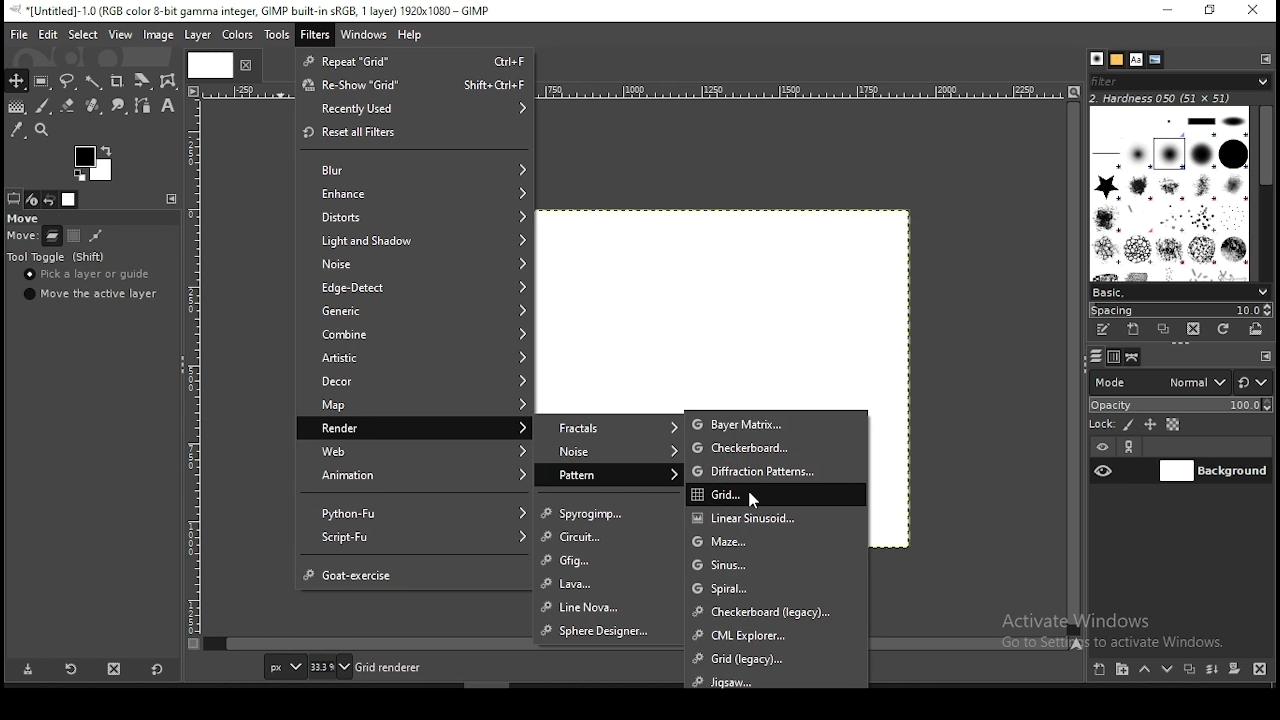  Describe the element at coordinates (611, 605) in the screenshot. I see `line nova` at that location.